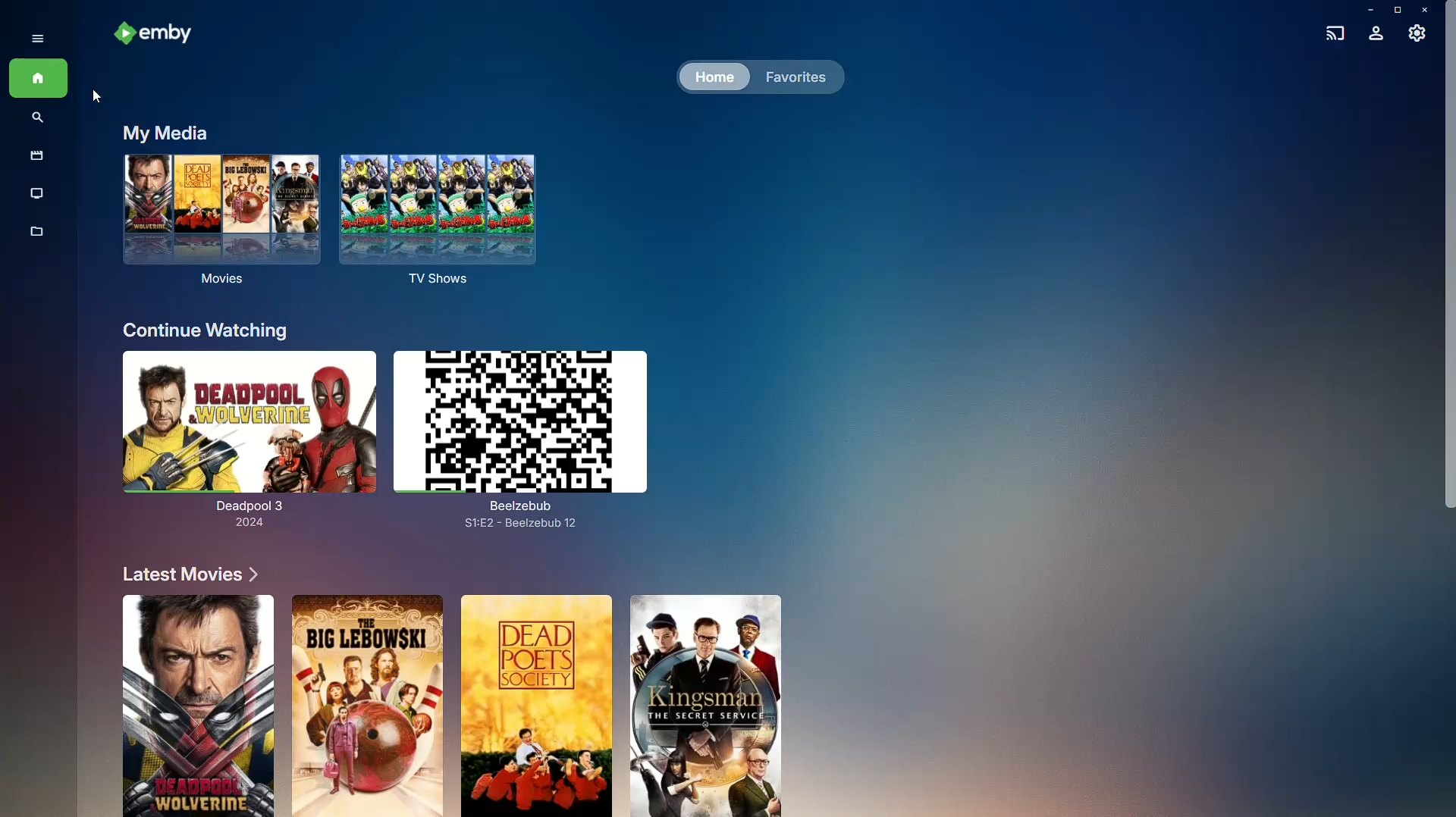 The width and height of the screenshot is (1456, 817). Describe the element at coordinates (367, 704) in the screenshot. I see `` at that location.